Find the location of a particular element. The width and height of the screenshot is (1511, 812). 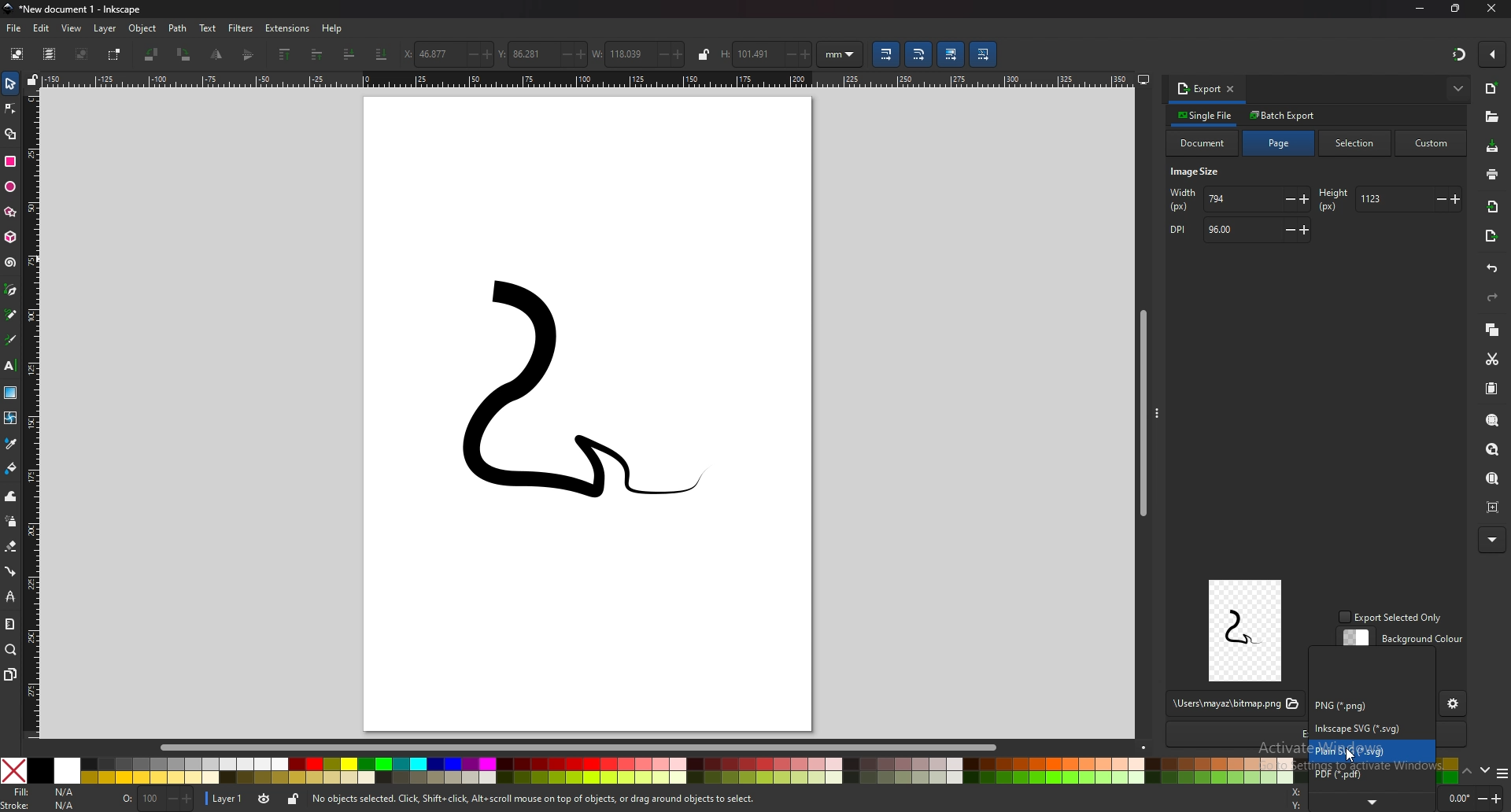

zoom page is located at coordinates (1494, 480).